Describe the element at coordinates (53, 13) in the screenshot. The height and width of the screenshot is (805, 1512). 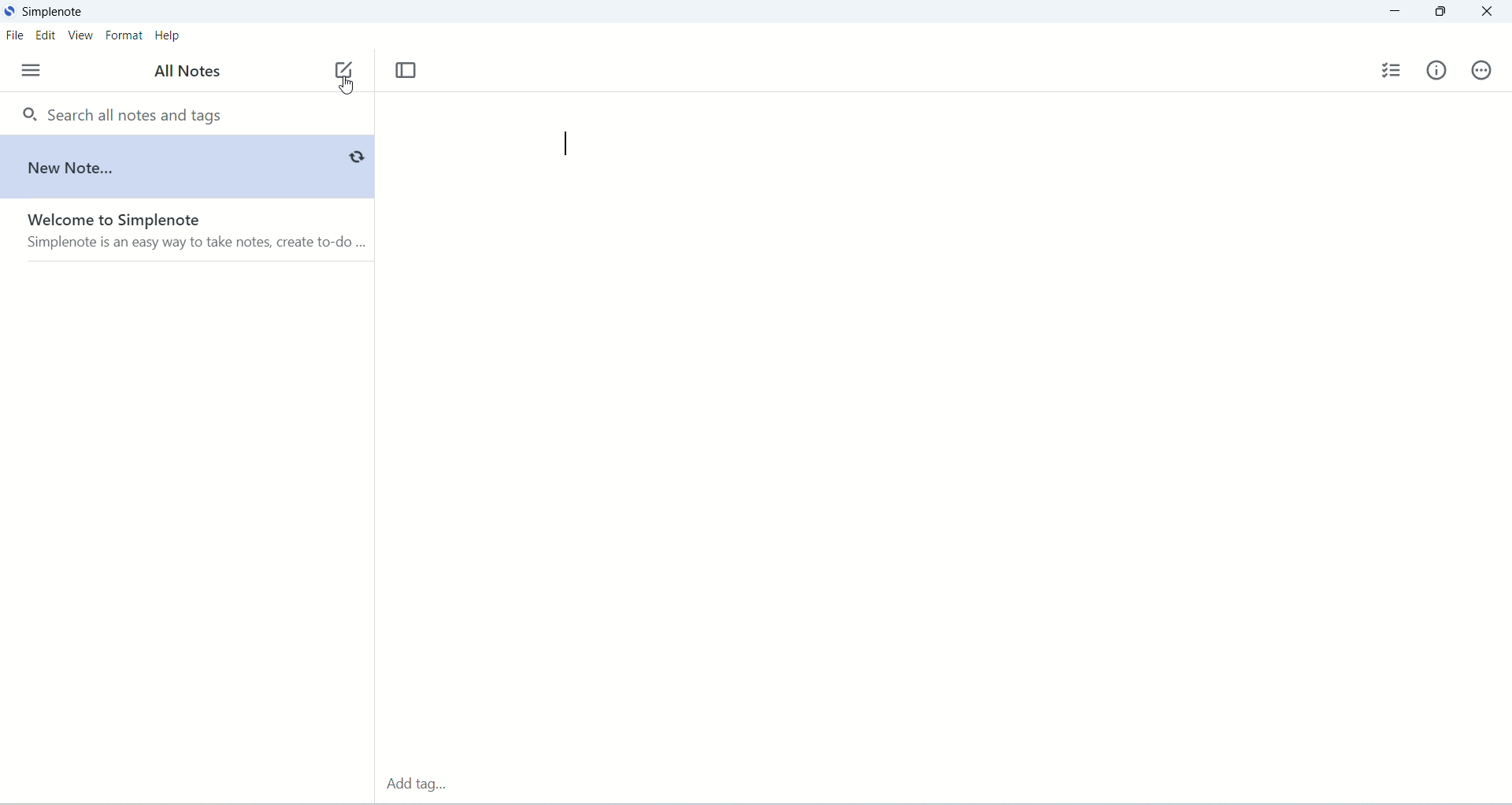
I see `Simplenote` at that location.